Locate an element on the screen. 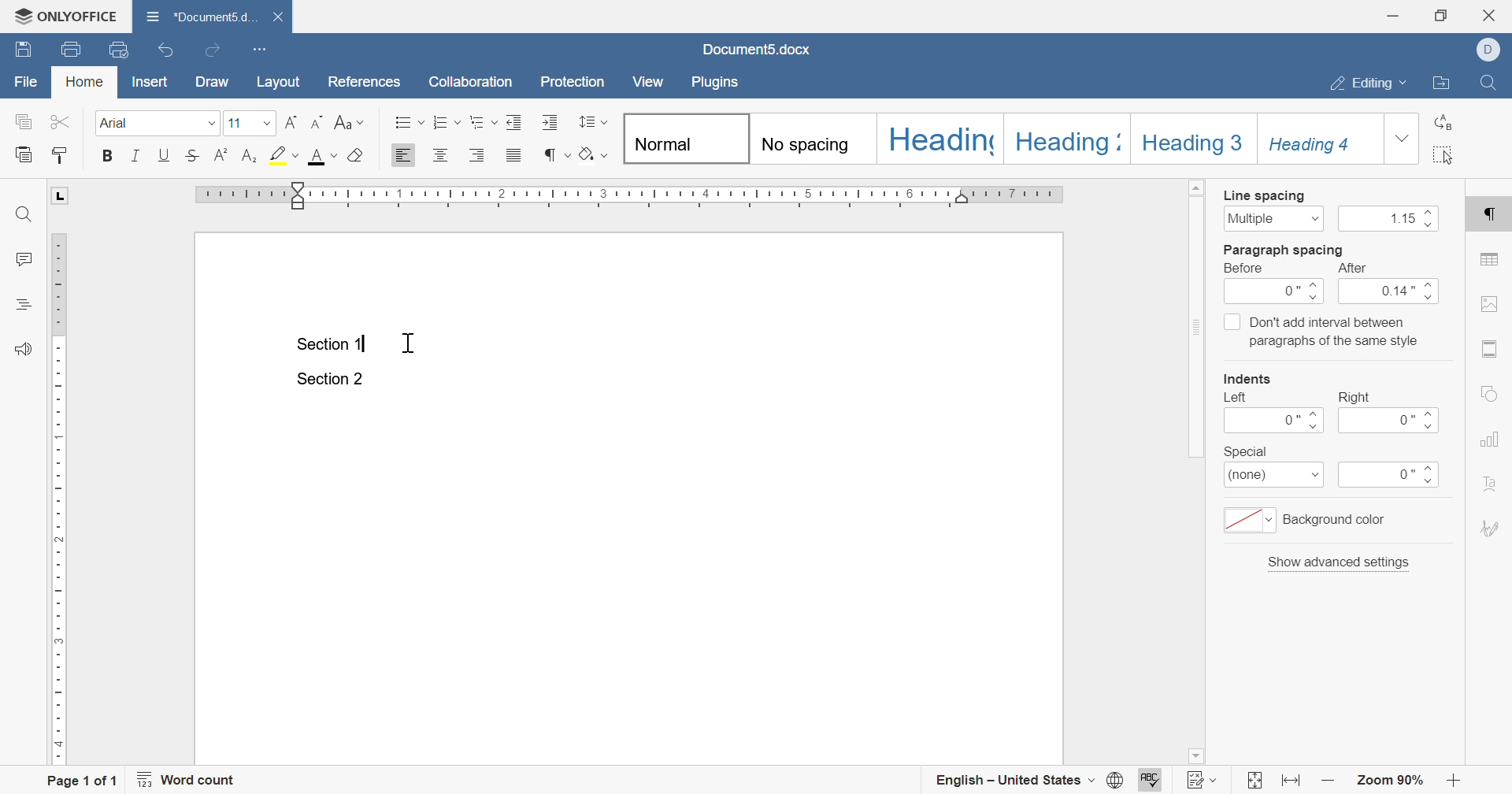  show advanced settings is located at coordinates (1340, 562).